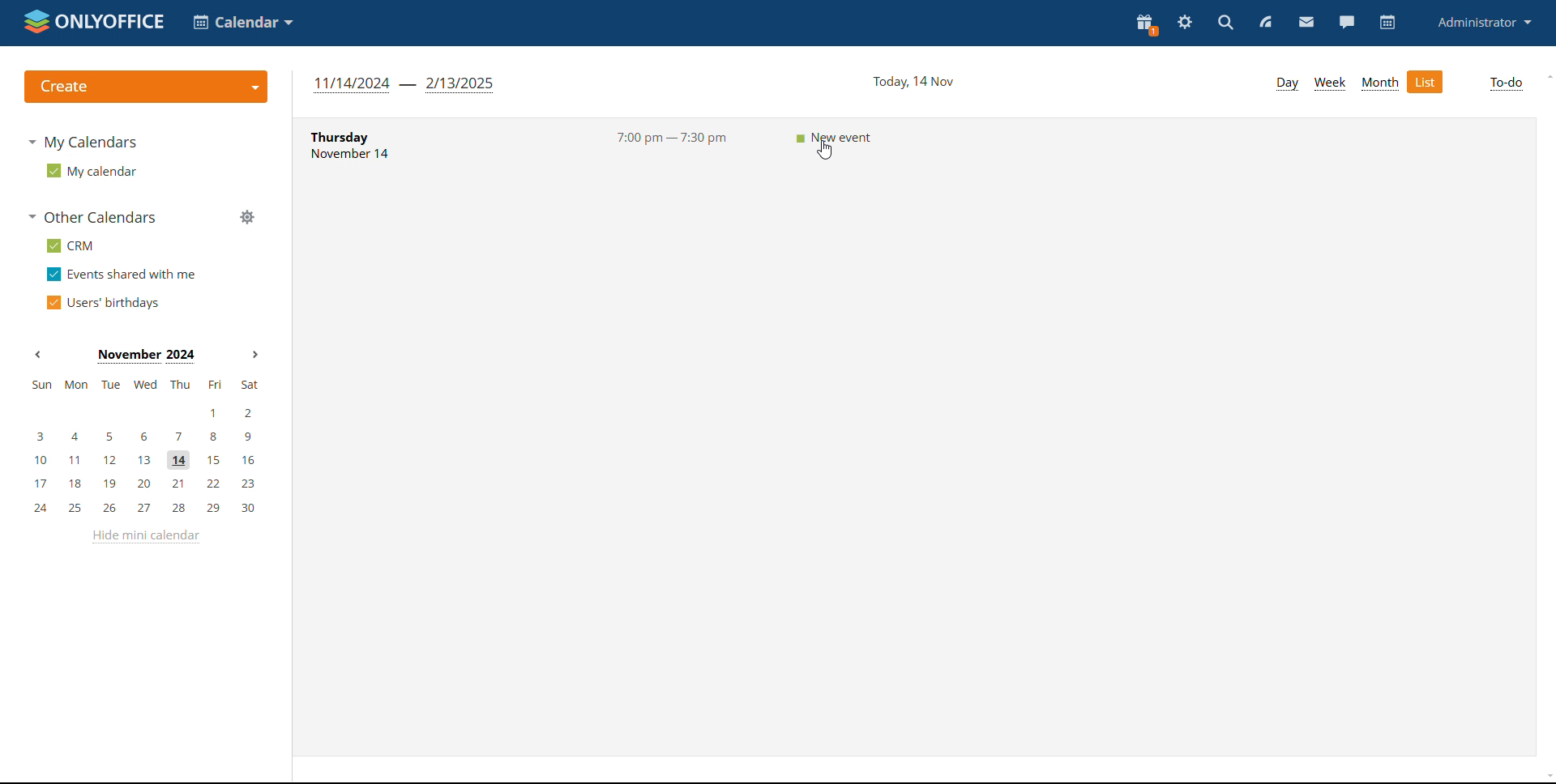 The width and height of the screenshot is (1556, 784). Describe the element at coordinates (1330, 83) in the screenshot. I see `week view` at that location.